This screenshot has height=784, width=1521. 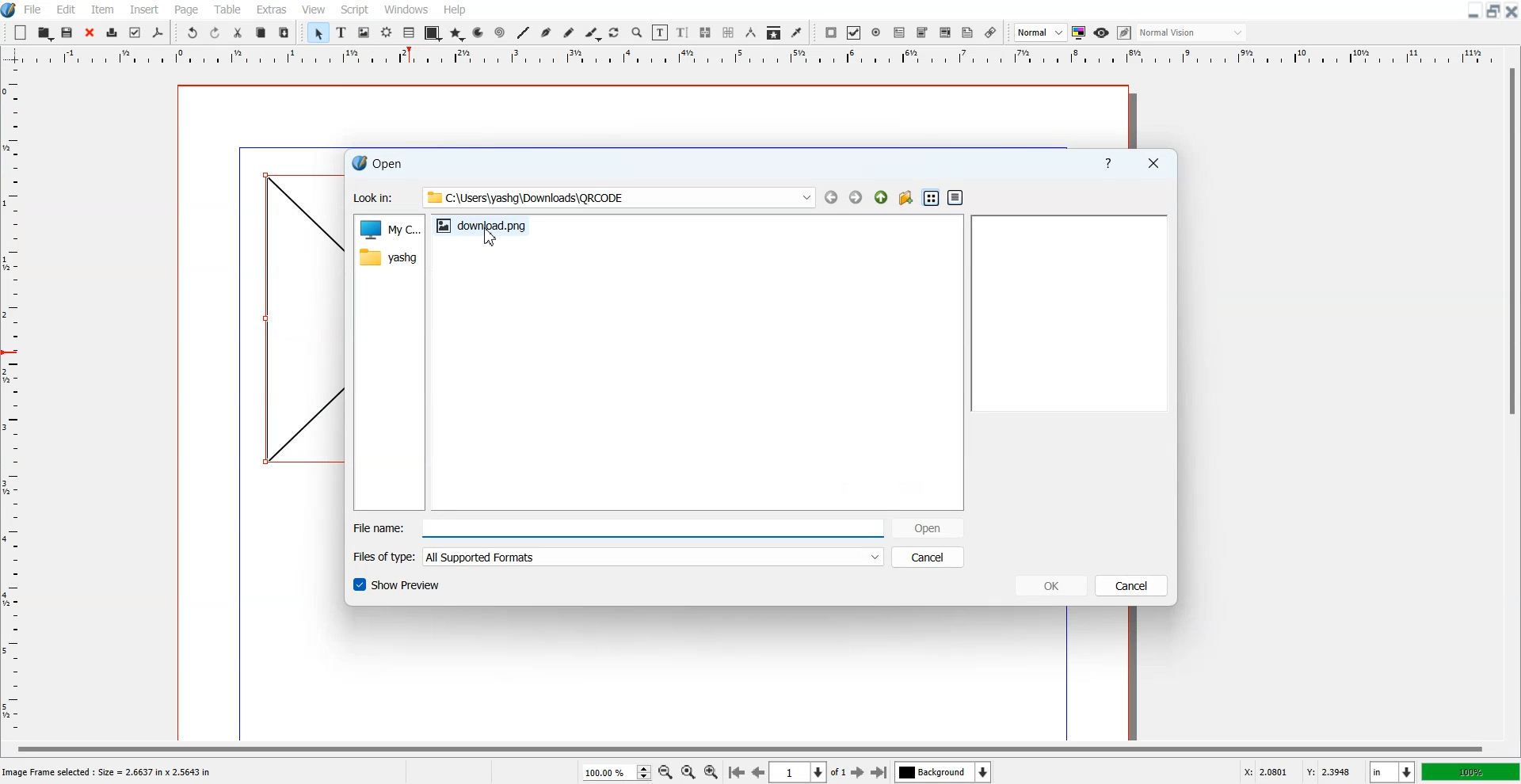 What do you see at coordinates (389, 227) in the screenshot?
I see `My computer` at bounding box center [389, 227].